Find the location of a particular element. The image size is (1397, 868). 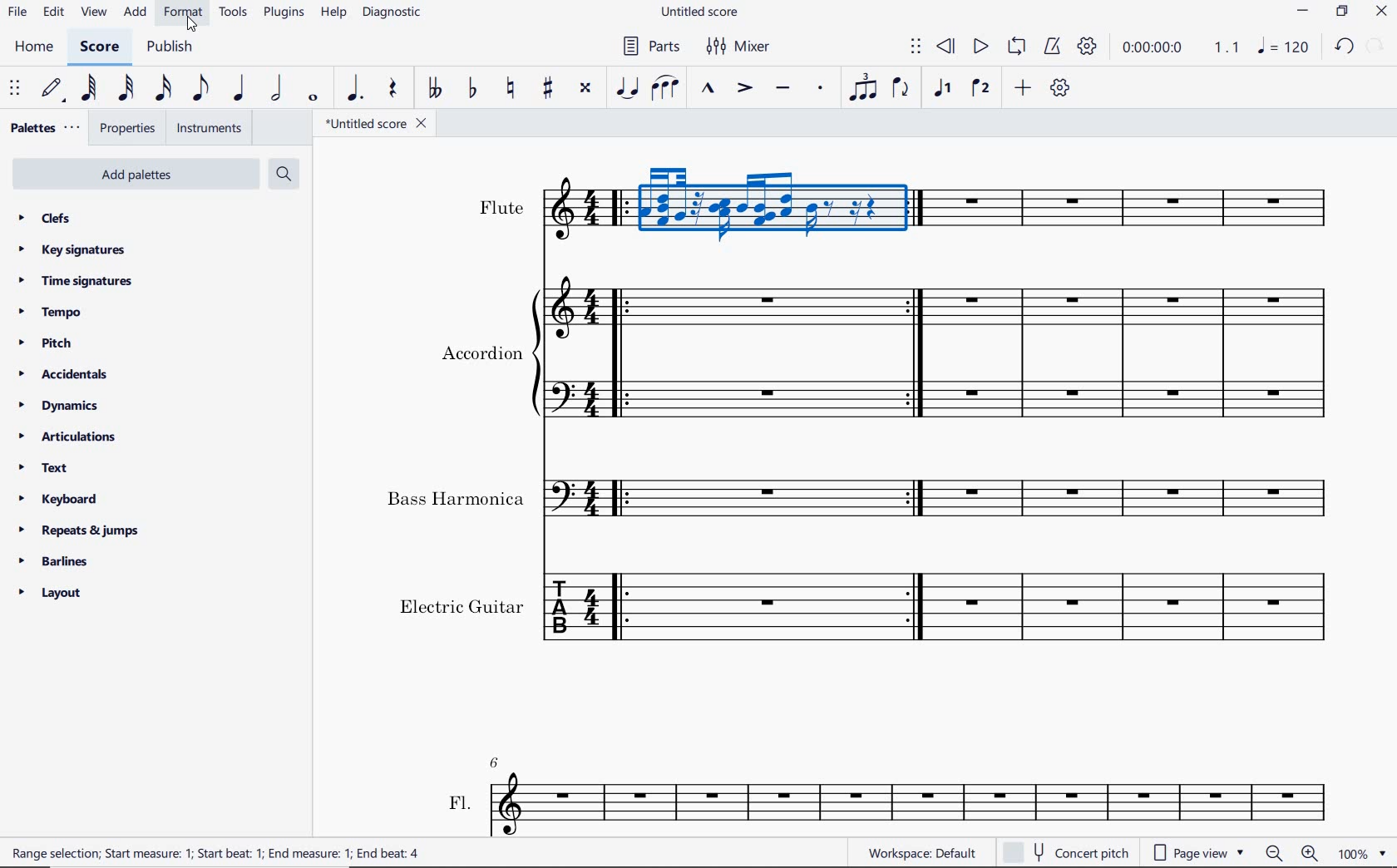

key signatures is located at coordinates (72, 250).